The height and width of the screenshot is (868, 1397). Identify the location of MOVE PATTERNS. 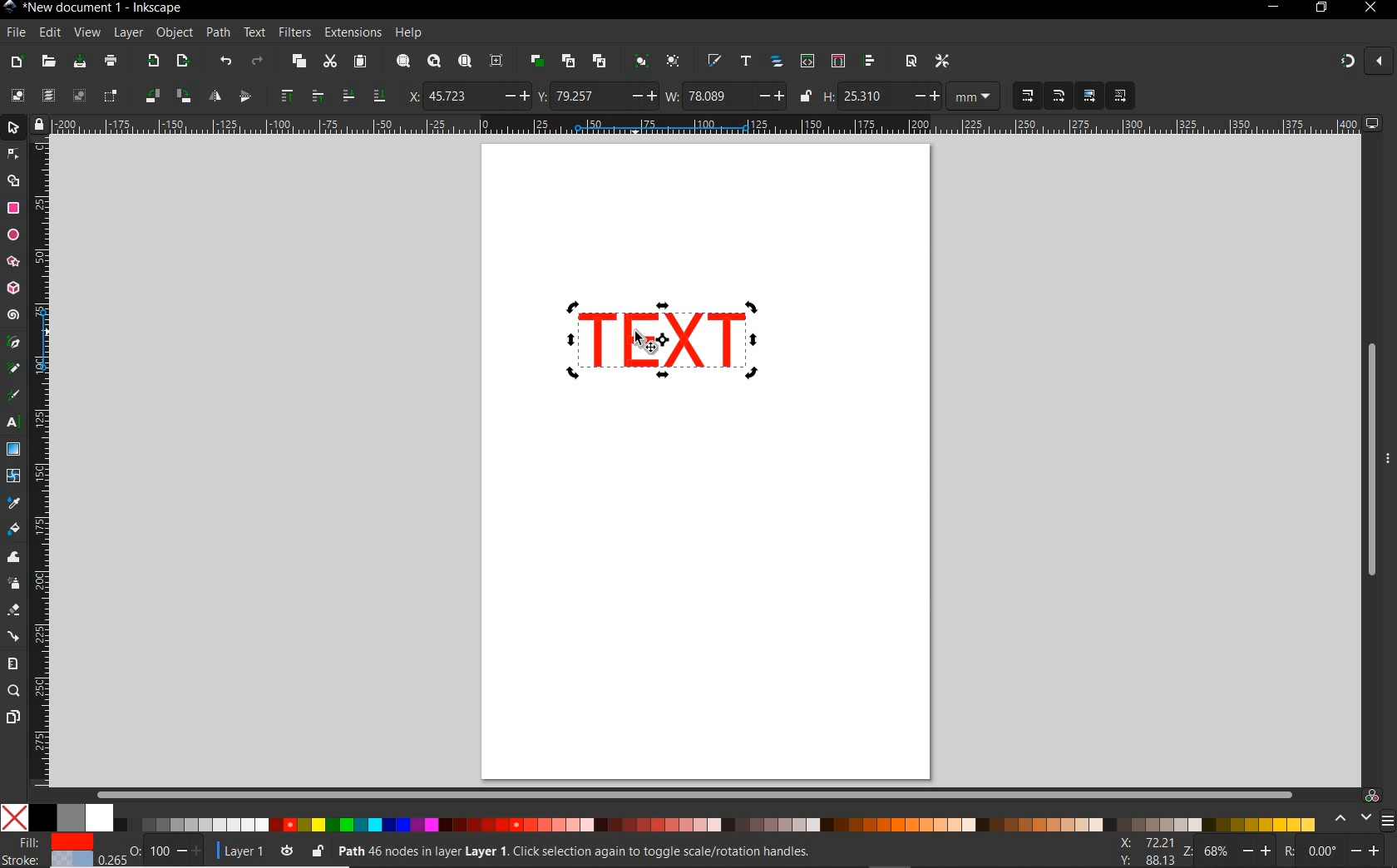
(1119, 96).